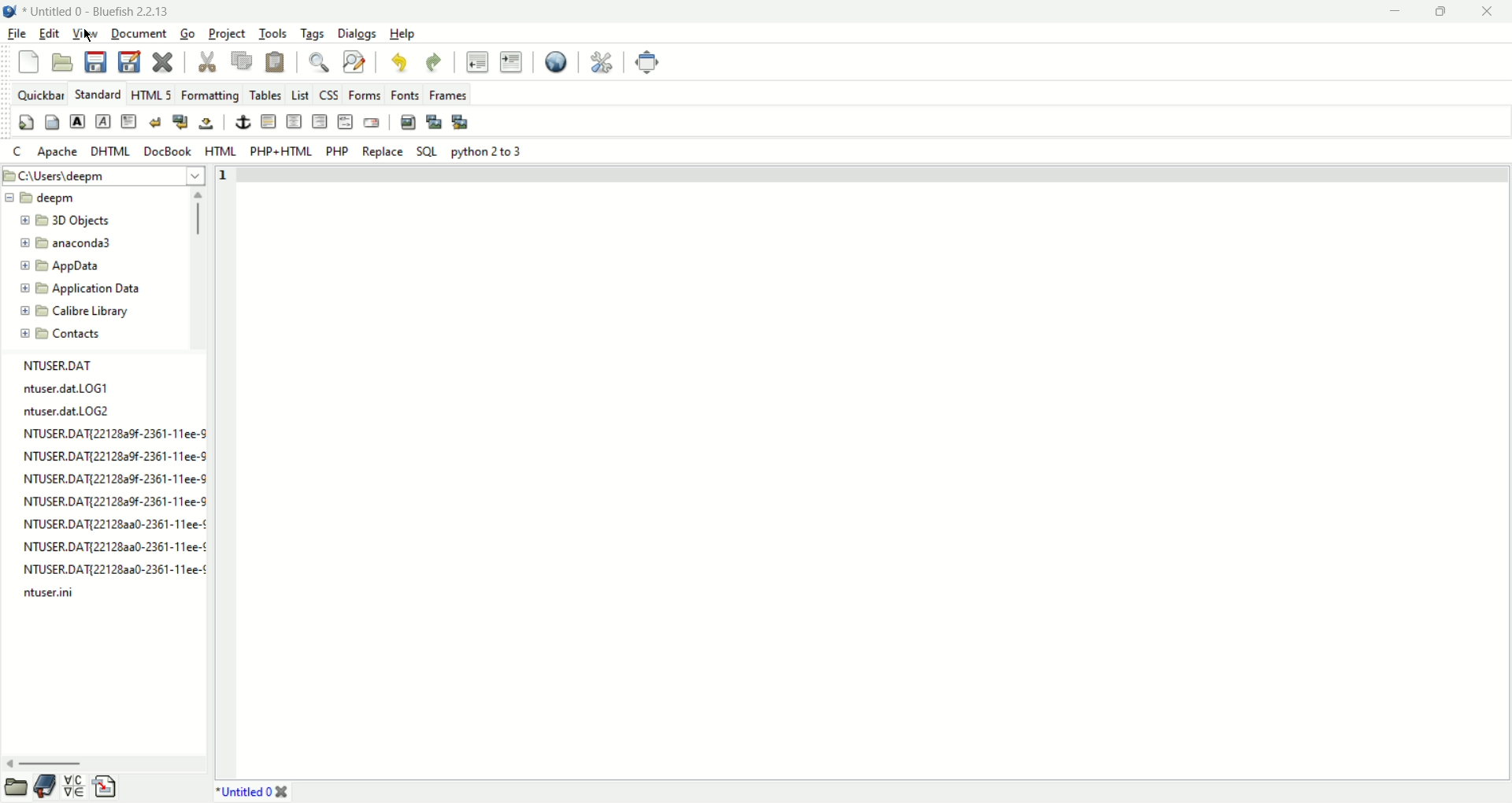 This screenshot has width=1512, height=803. What do you see at coordinates (69, 242) in the screenshot?
I see `new folder` at bounding box center [69, 242].